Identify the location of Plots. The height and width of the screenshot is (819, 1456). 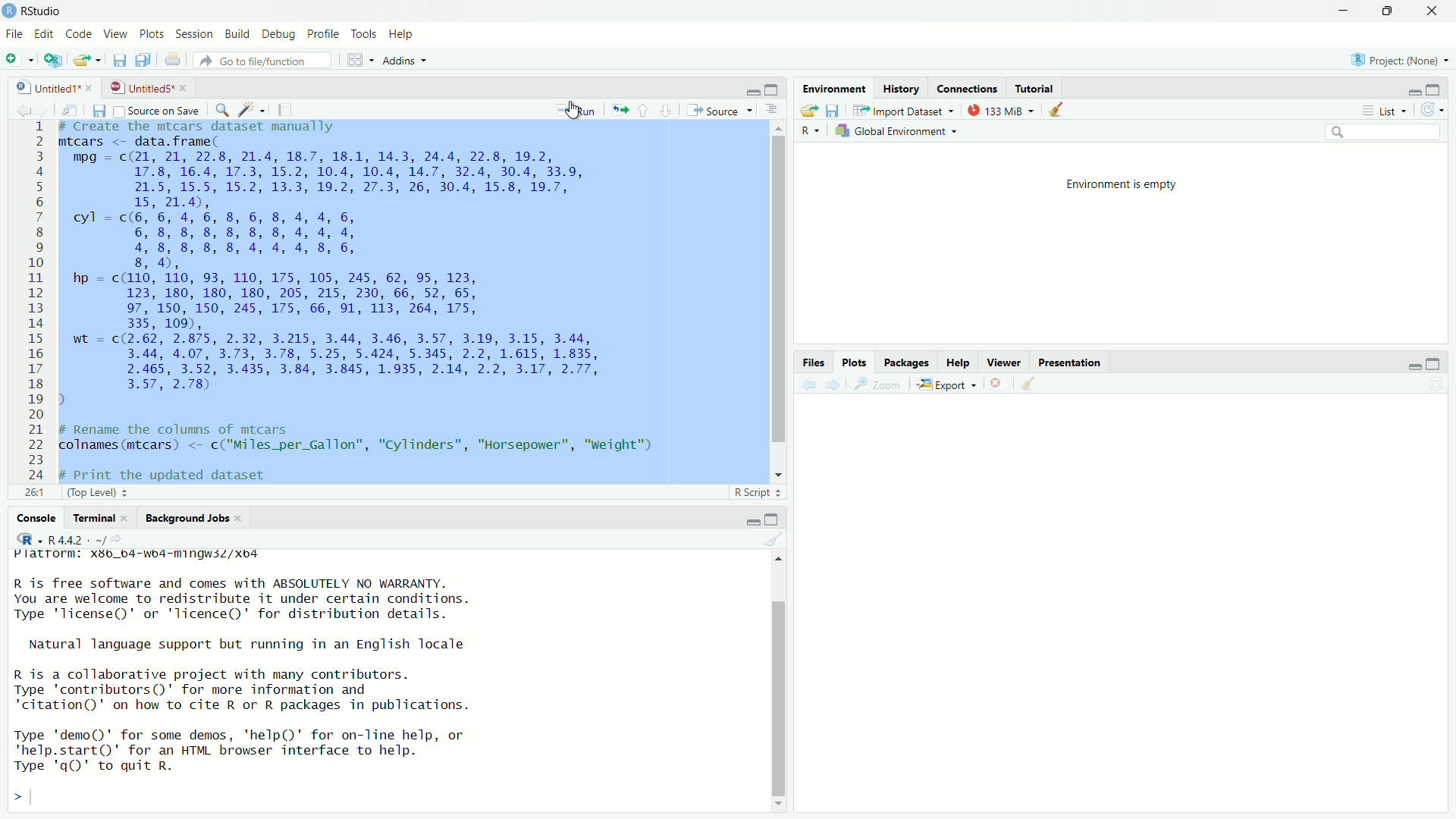
(855, 362).